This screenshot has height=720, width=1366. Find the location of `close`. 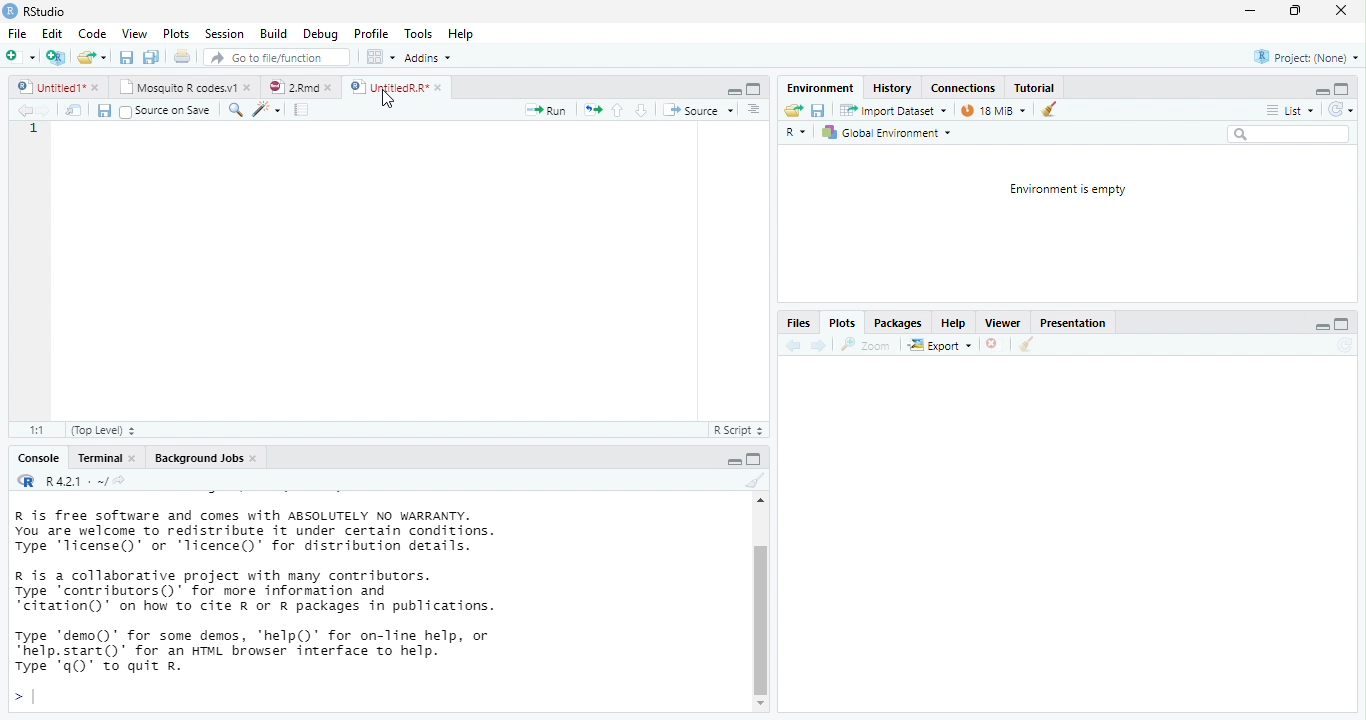

close is located at coordinates (250, 86).